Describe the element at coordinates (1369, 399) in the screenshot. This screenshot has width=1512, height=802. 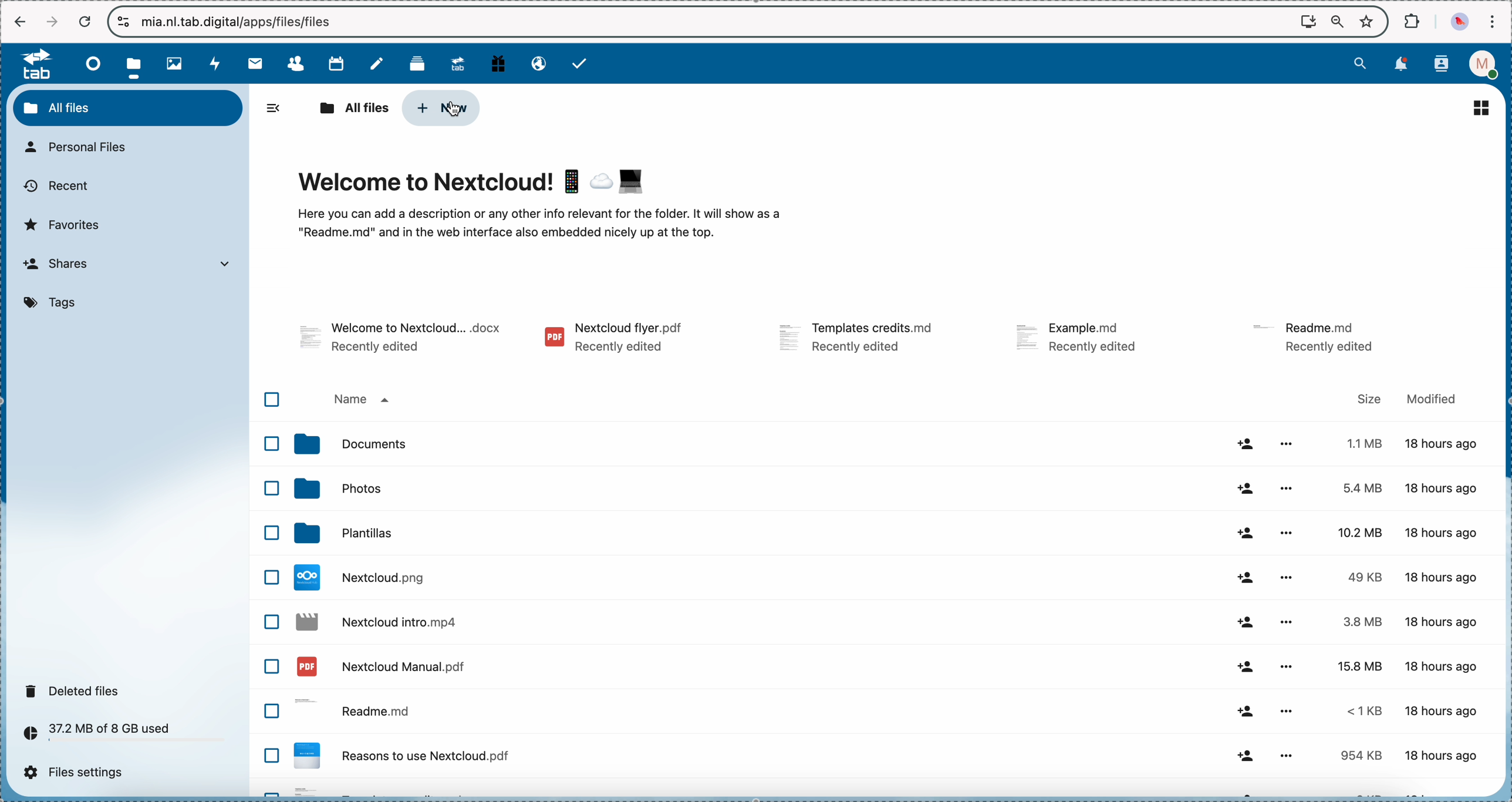
I see `size` at that location.